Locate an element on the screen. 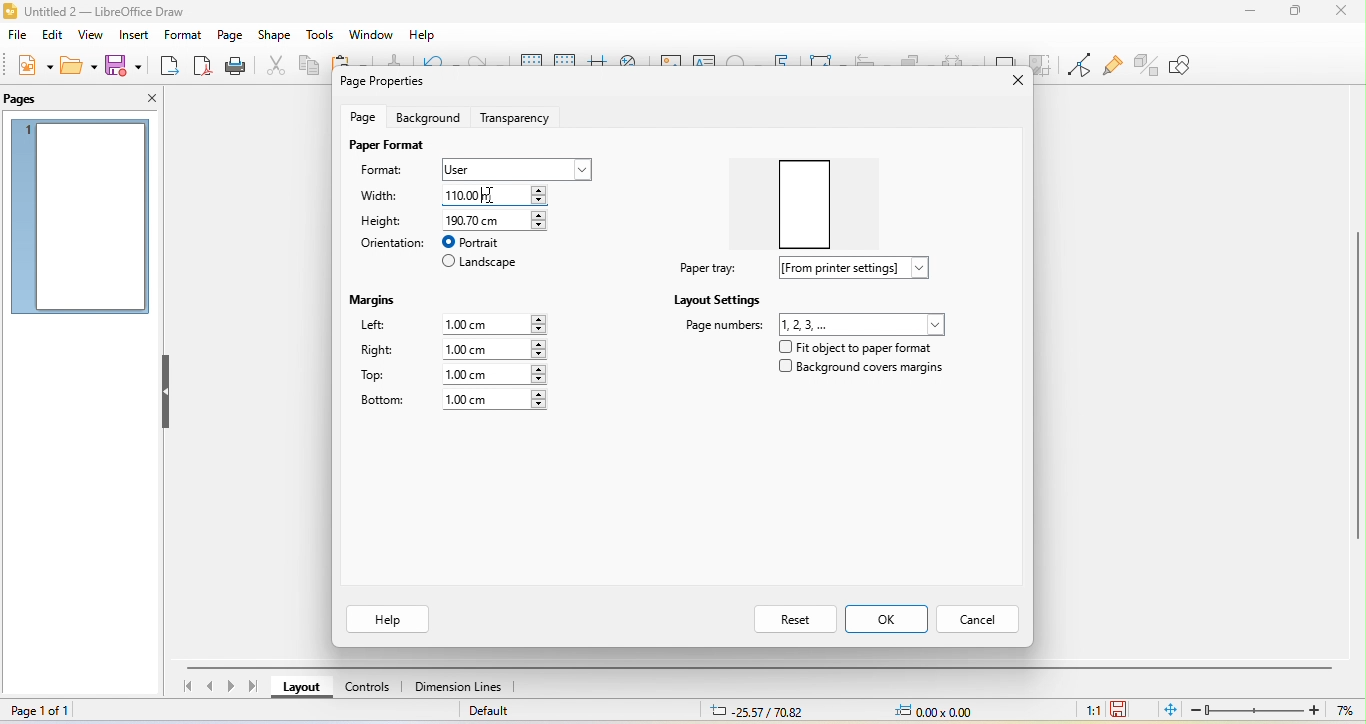 Image resolution: width=1366 pixels, height=724 pixels. cut is located at coordinates (272, 65).